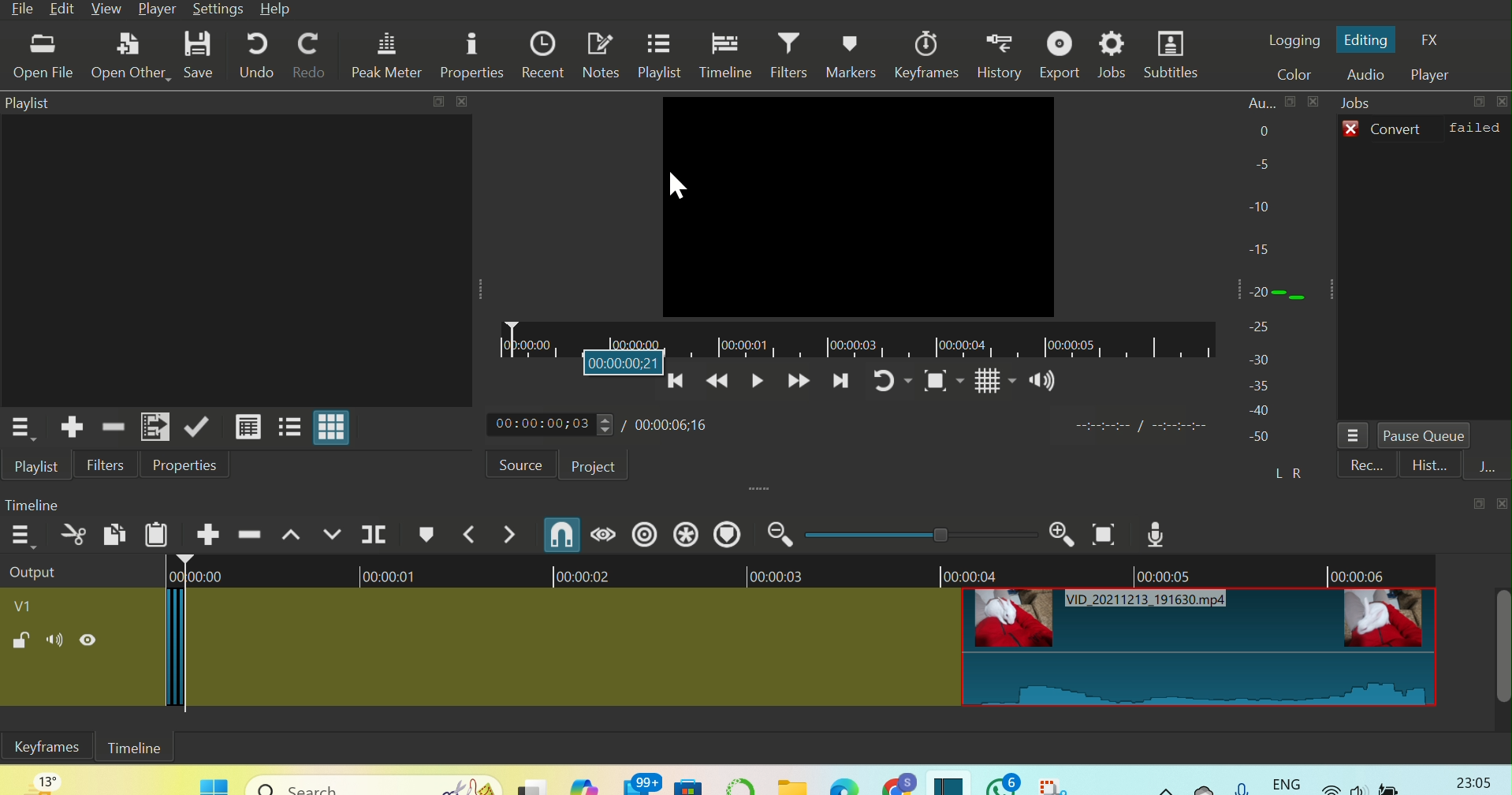 The width and height of the screenshot is (1512, 795). I want to click on , so click(1373, 780).